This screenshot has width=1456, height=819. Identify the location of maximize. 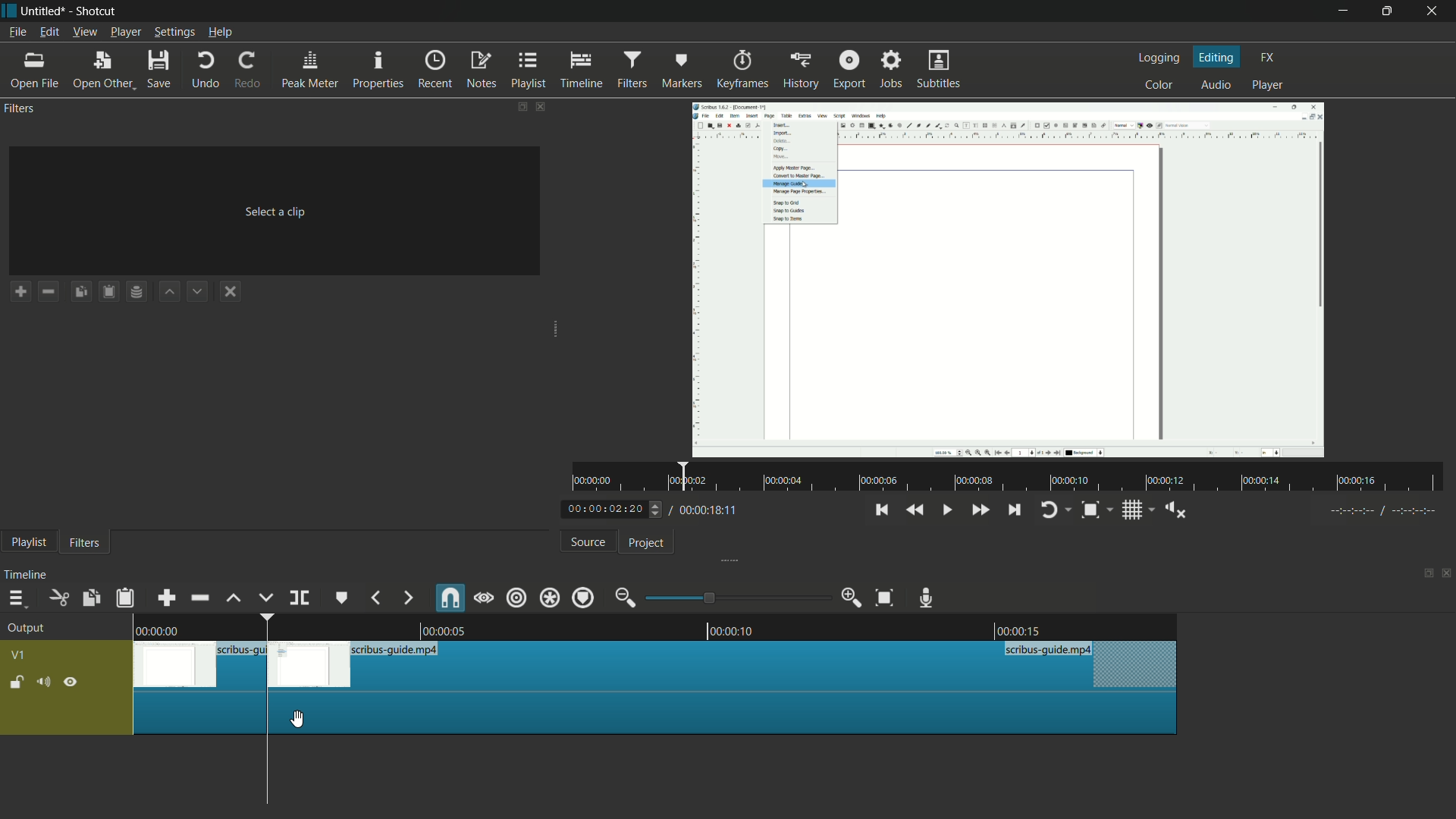
(1389, 11).